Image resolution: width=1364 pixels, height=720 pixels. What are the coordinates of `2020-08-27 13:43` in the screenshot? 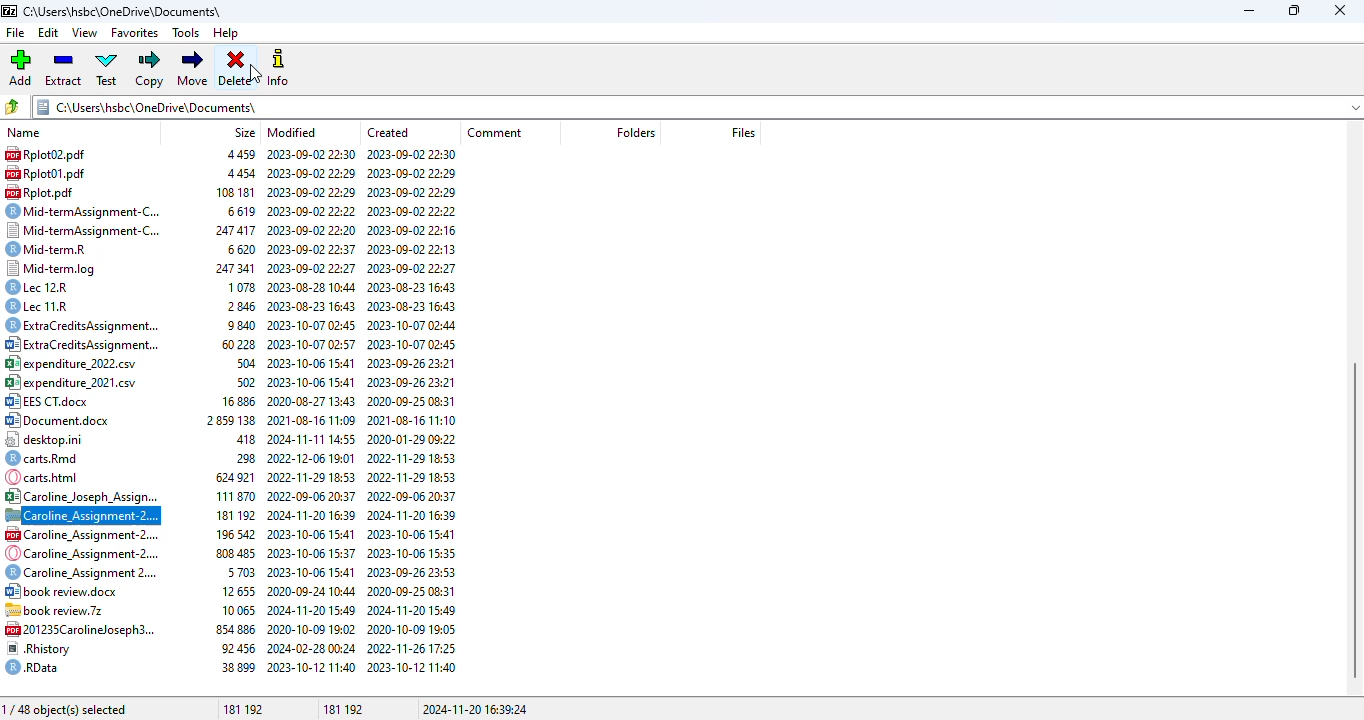 It's located at (312, 401).